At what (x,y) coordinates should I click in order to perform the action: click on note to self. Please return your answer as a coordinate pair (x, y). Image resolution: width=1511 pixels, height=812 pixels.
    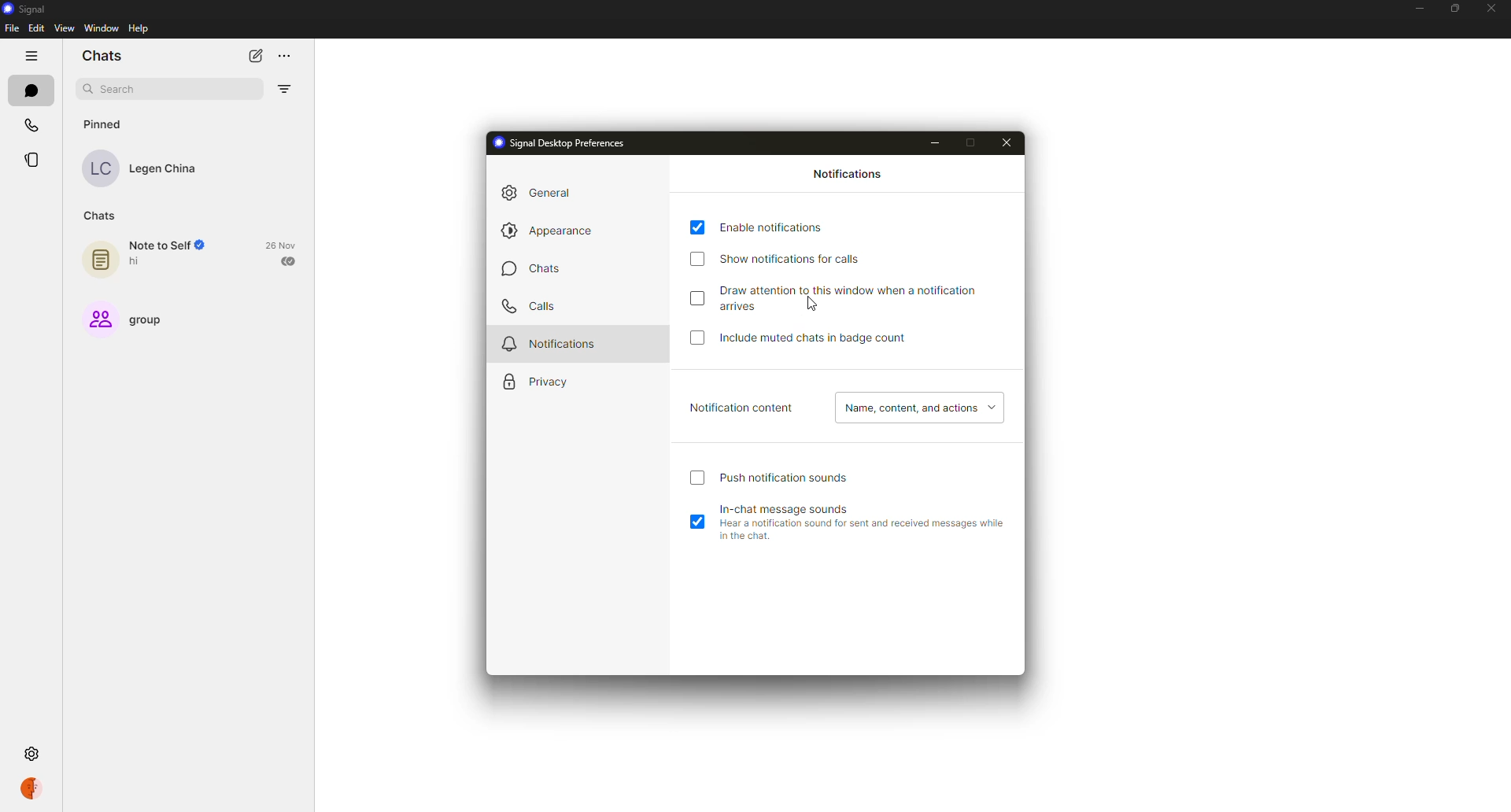
    Looking at the image, I should click on (152, 256).